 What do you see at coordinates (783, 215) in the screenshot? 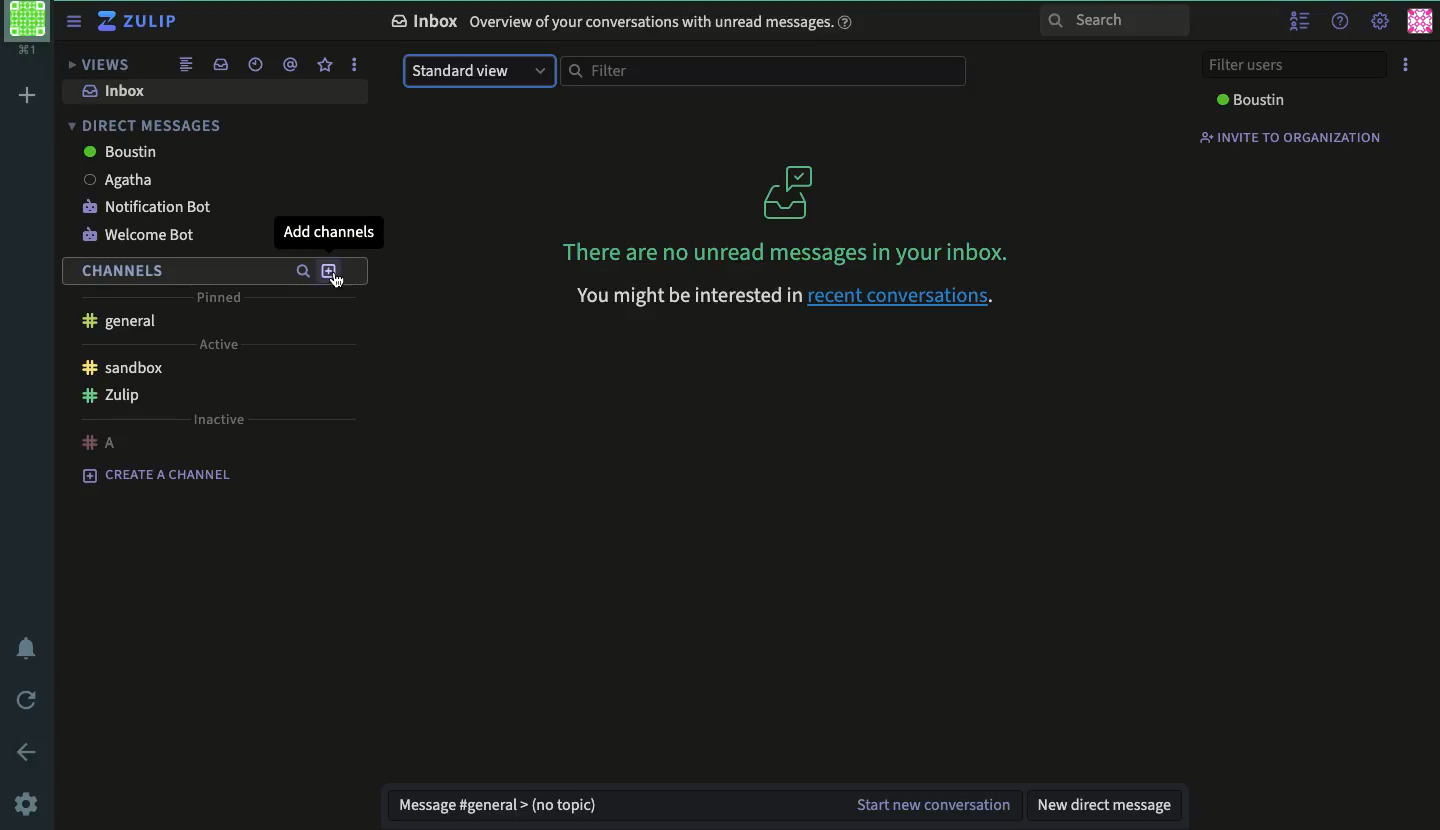
I see `There are no unread messages in your inbox.` at bounding box center [783, 215].